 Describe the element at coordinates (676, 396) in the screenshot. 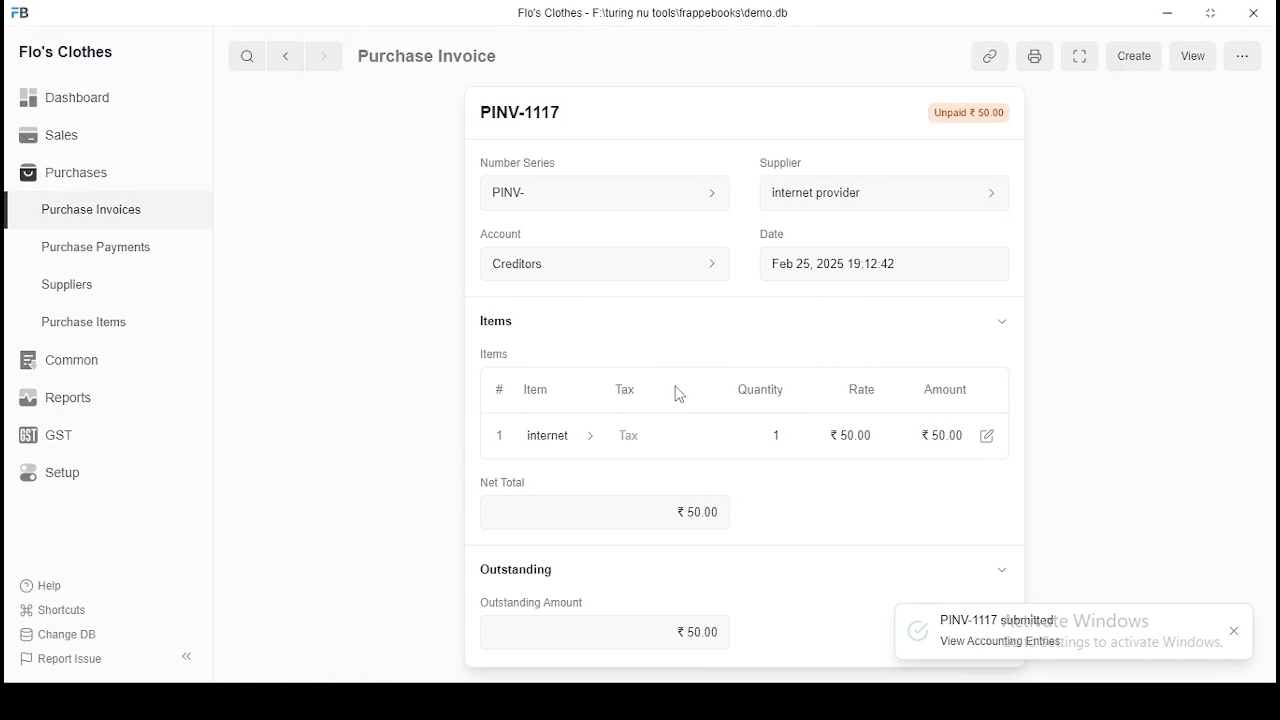

I see `mouse pointer` at that location.